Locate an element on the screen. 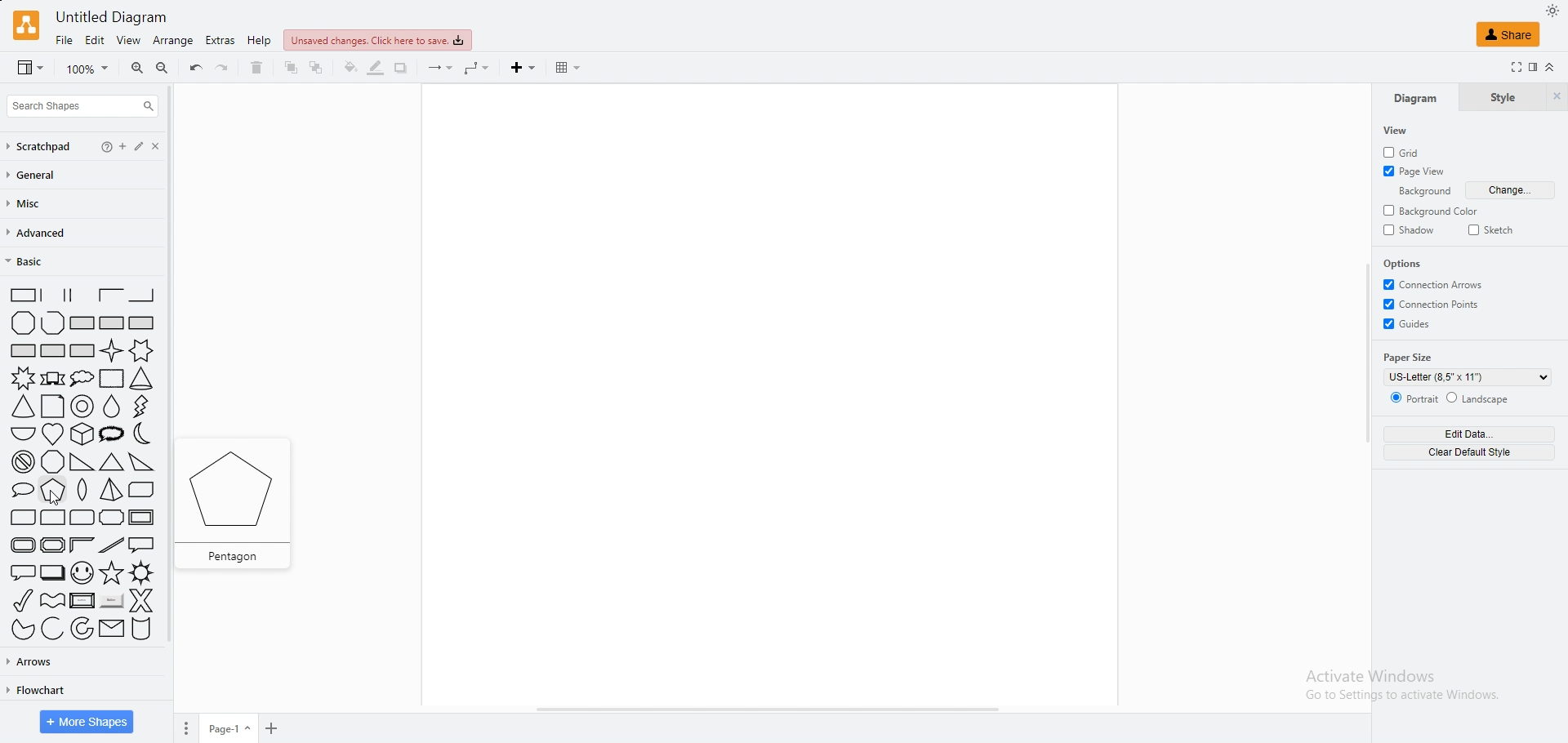  right triangle is located at coordinates (80, 463).